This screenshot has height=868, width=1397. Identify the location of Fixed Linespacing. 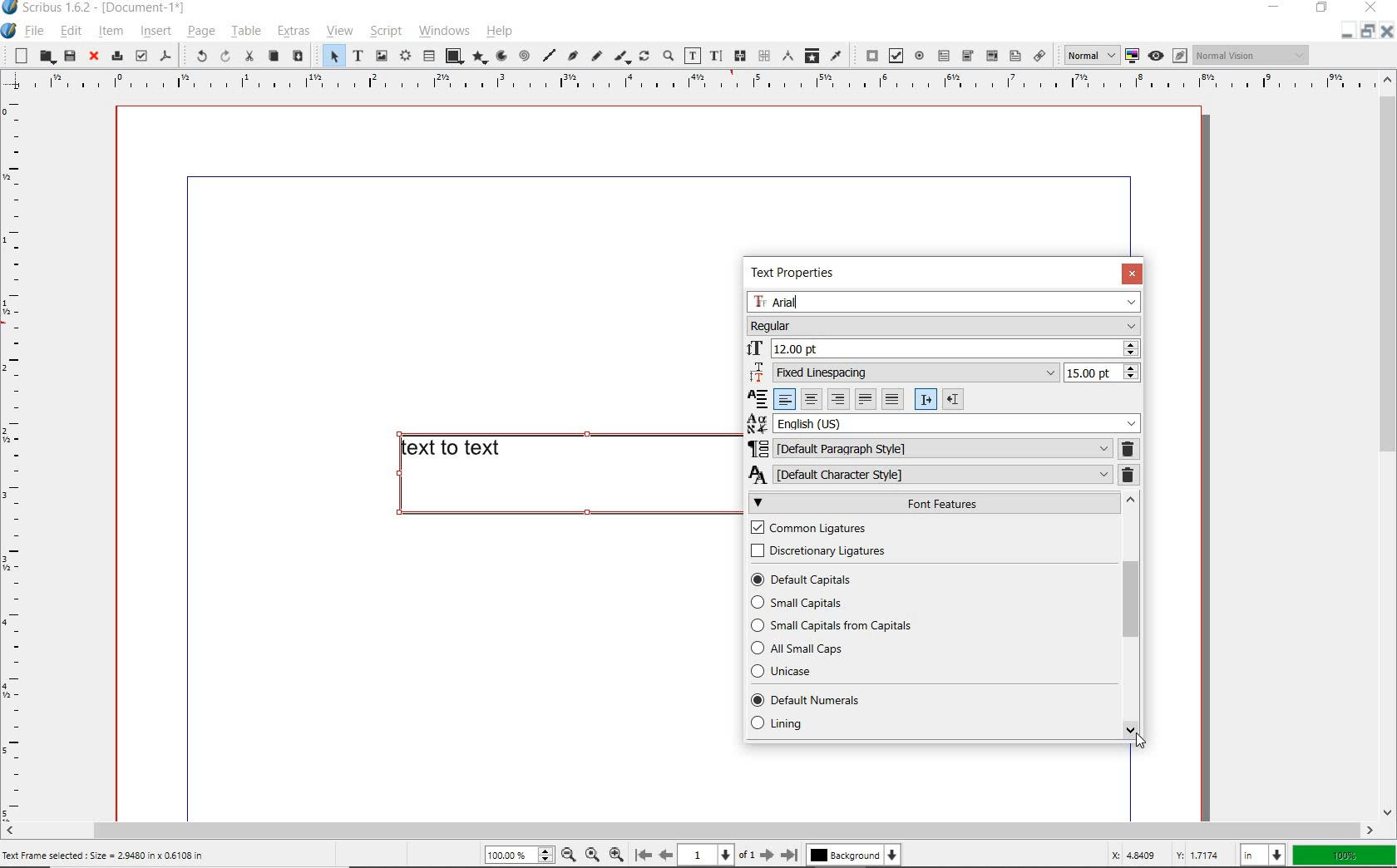
(902, 372).